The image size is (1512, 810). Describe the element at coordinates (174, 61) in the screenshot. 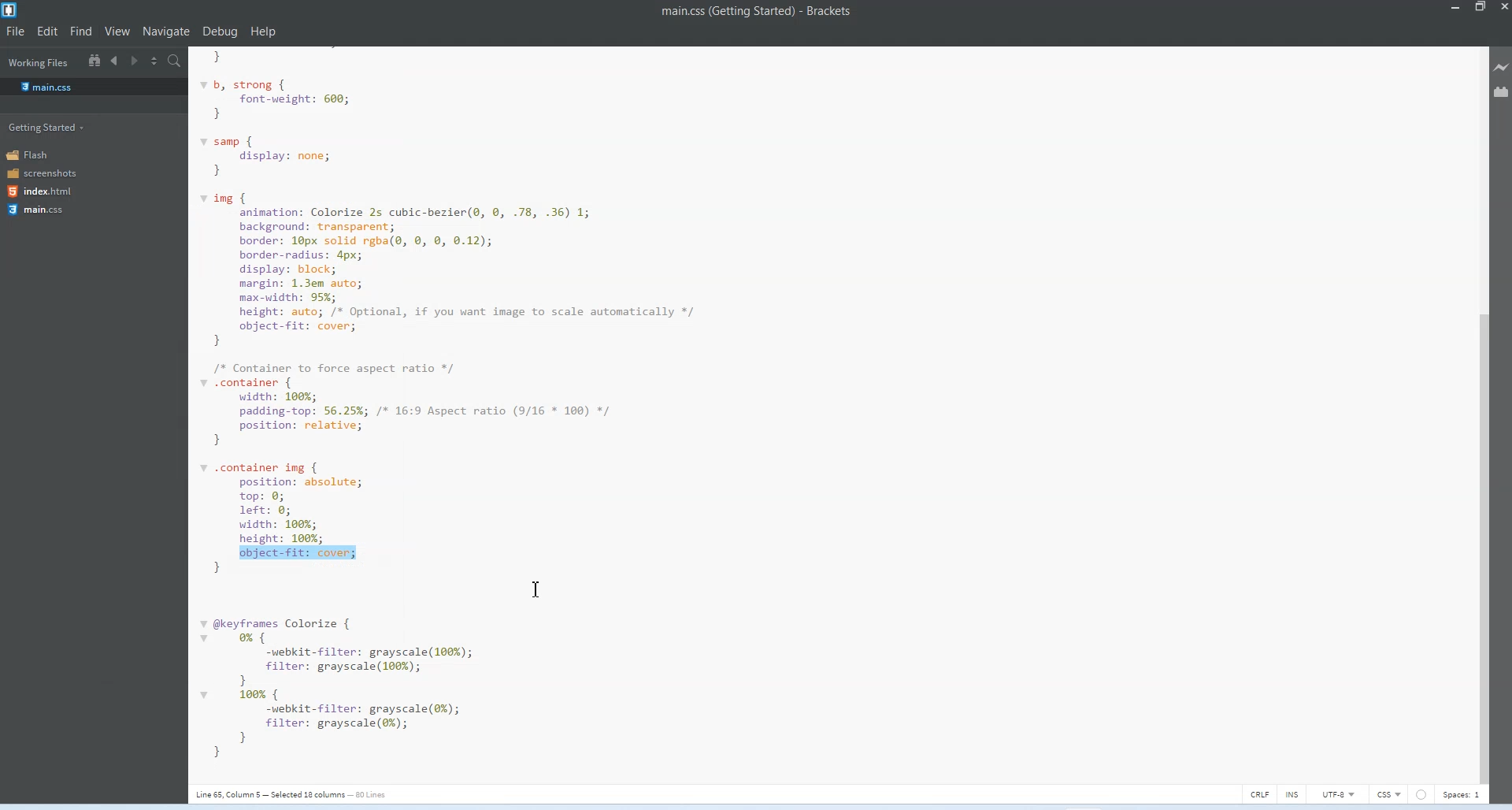

I see `Find in Files` at that location.